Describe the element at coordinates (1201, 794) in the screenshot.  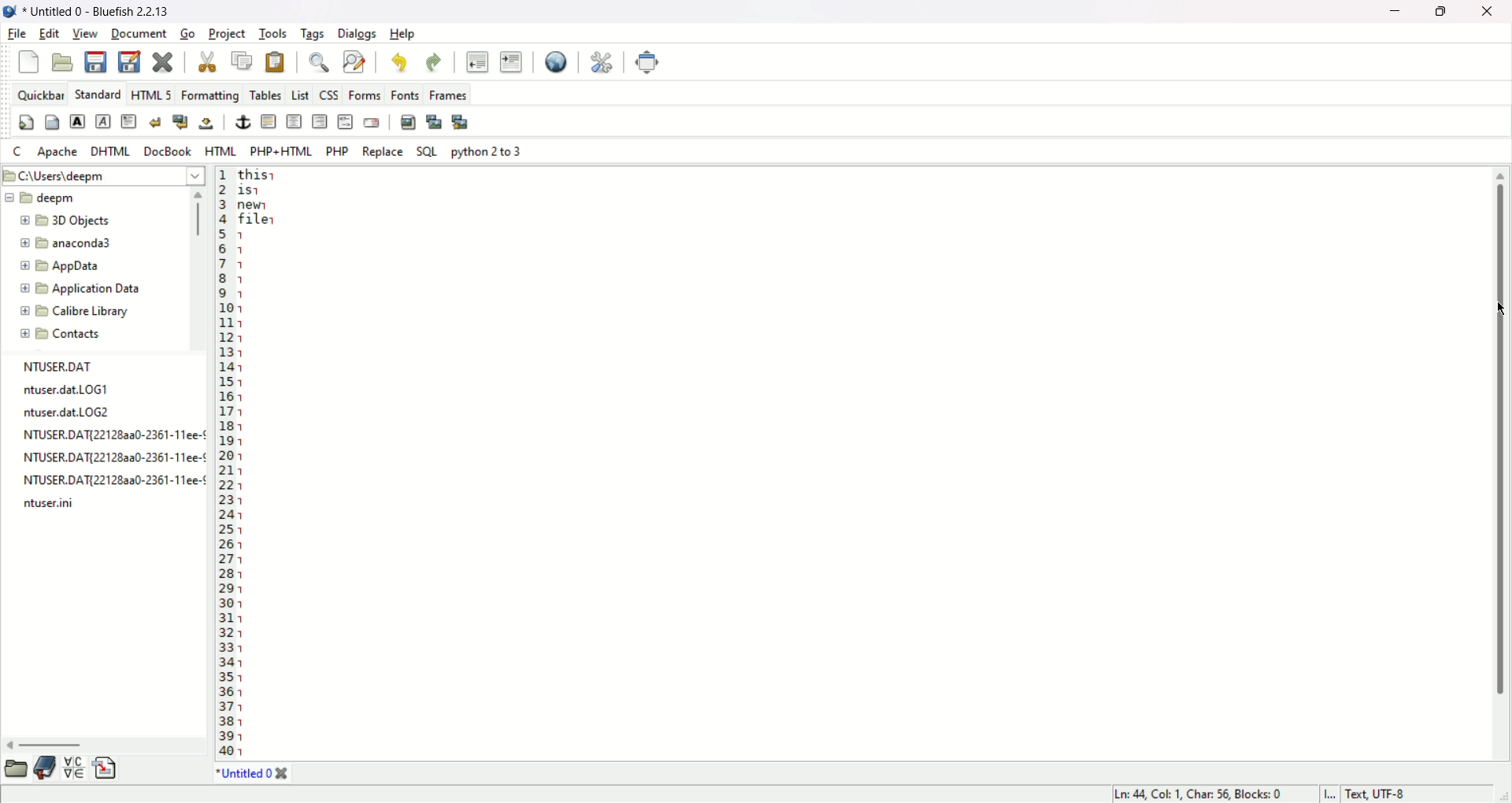
I see `cusor position` at that location.